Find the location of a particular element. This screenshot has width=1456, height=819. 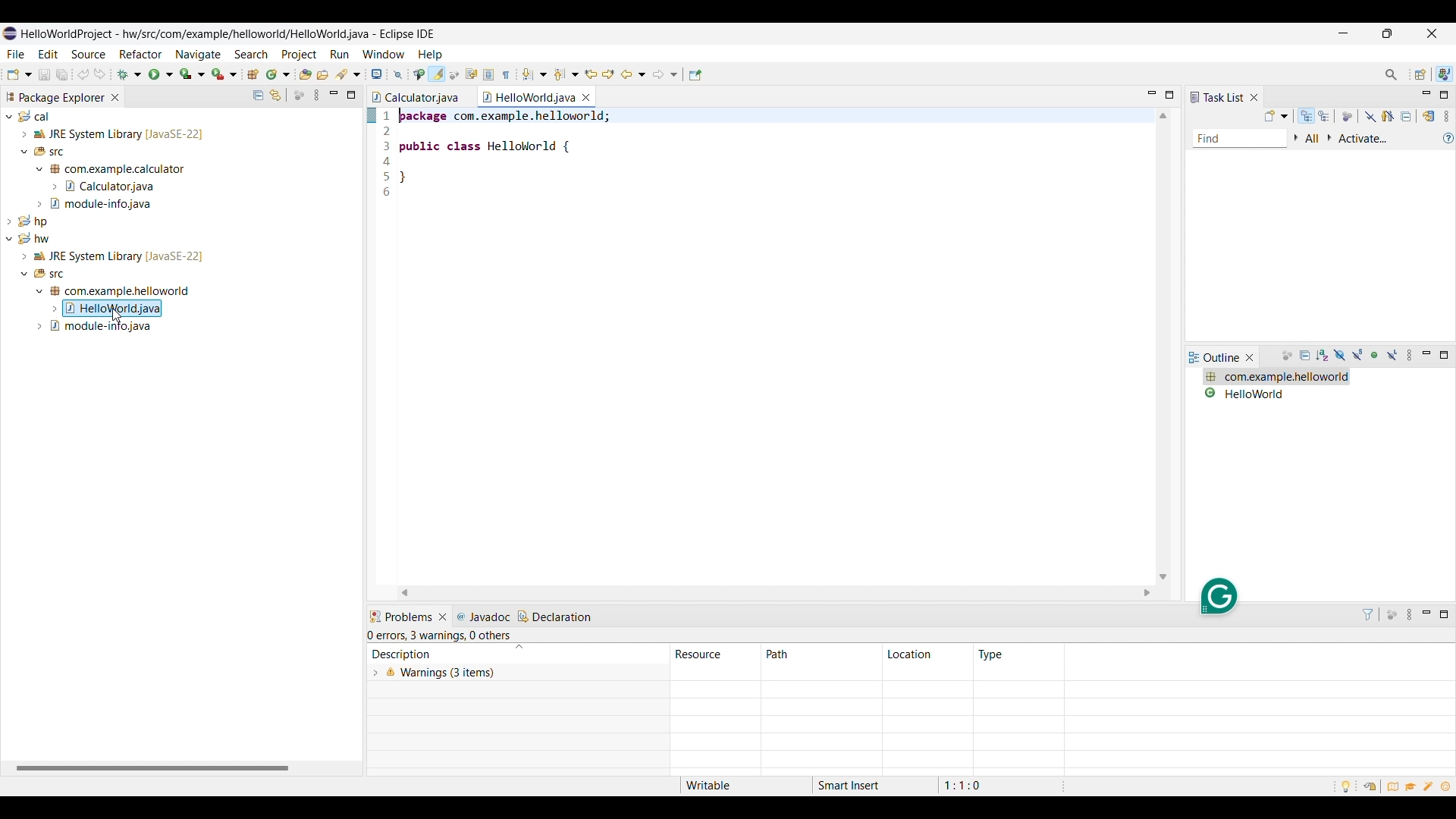

Scheduled is located at coordinates (1325, 116).